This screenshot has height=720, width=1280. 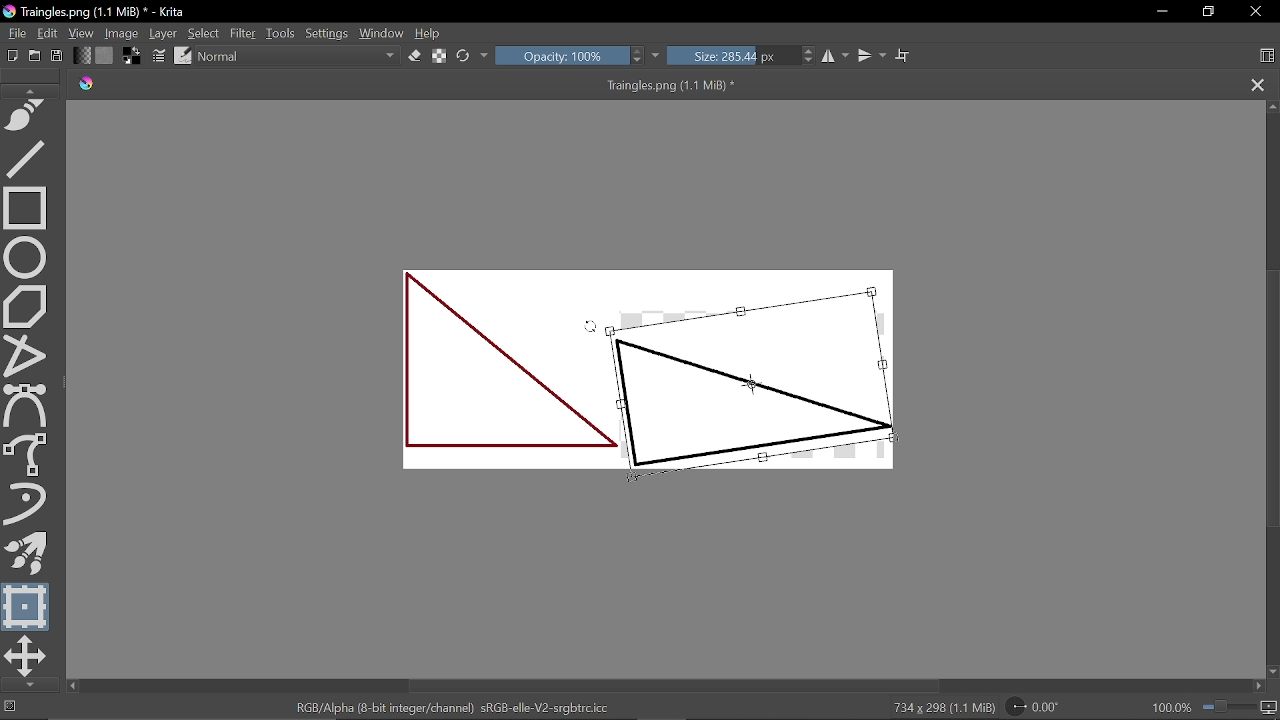 What do you see at coordinates (98, 13) in the screenshot?
I see `Traingles.png (1.1 MiB) * - Krita` at bounding box center [98, 13].